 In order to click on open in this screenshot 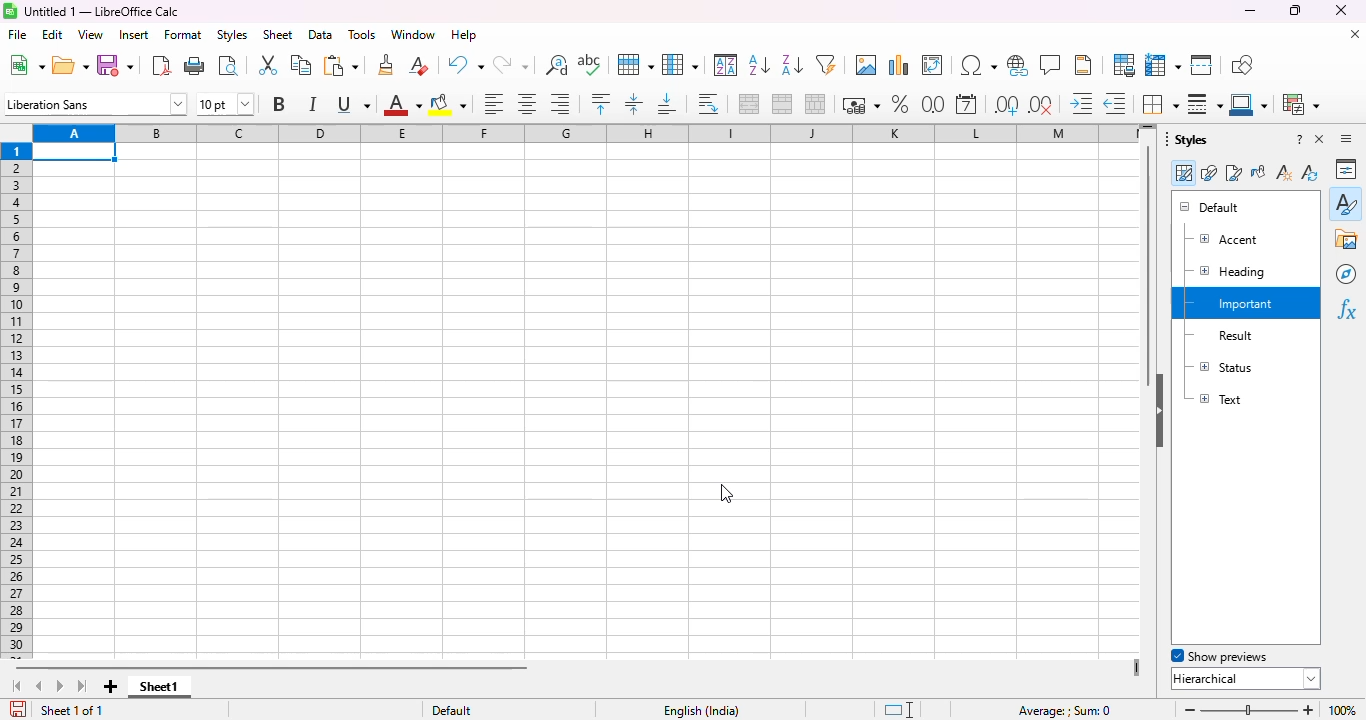, I will do `click(70, 65)`.